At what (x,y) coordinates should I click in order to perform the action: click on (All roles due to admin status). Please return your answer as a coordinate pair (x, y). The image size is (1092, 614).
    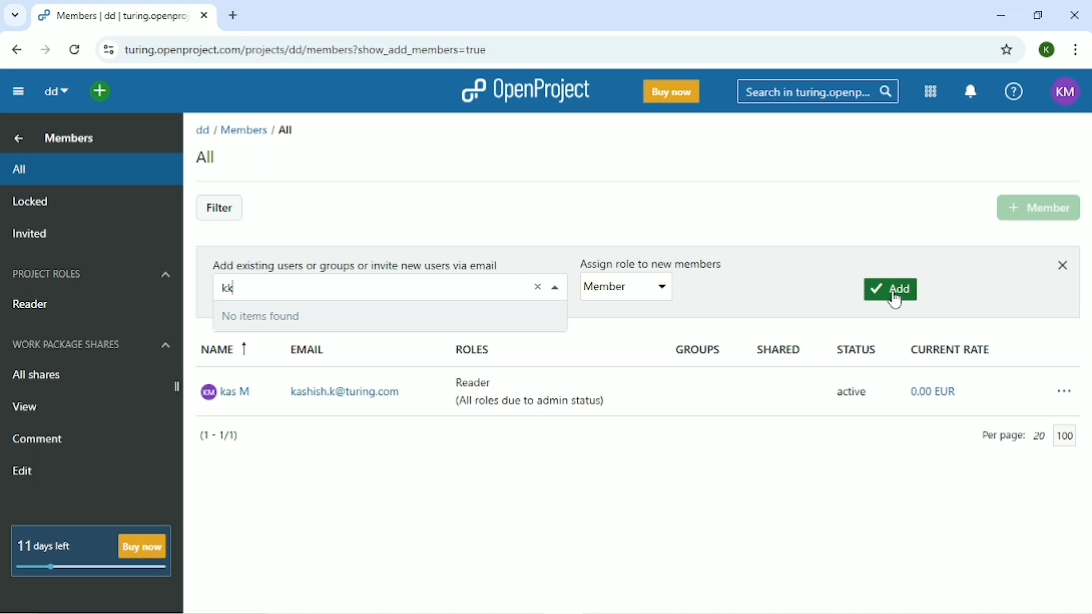
    Looking at the image, I should click on (532, 405).